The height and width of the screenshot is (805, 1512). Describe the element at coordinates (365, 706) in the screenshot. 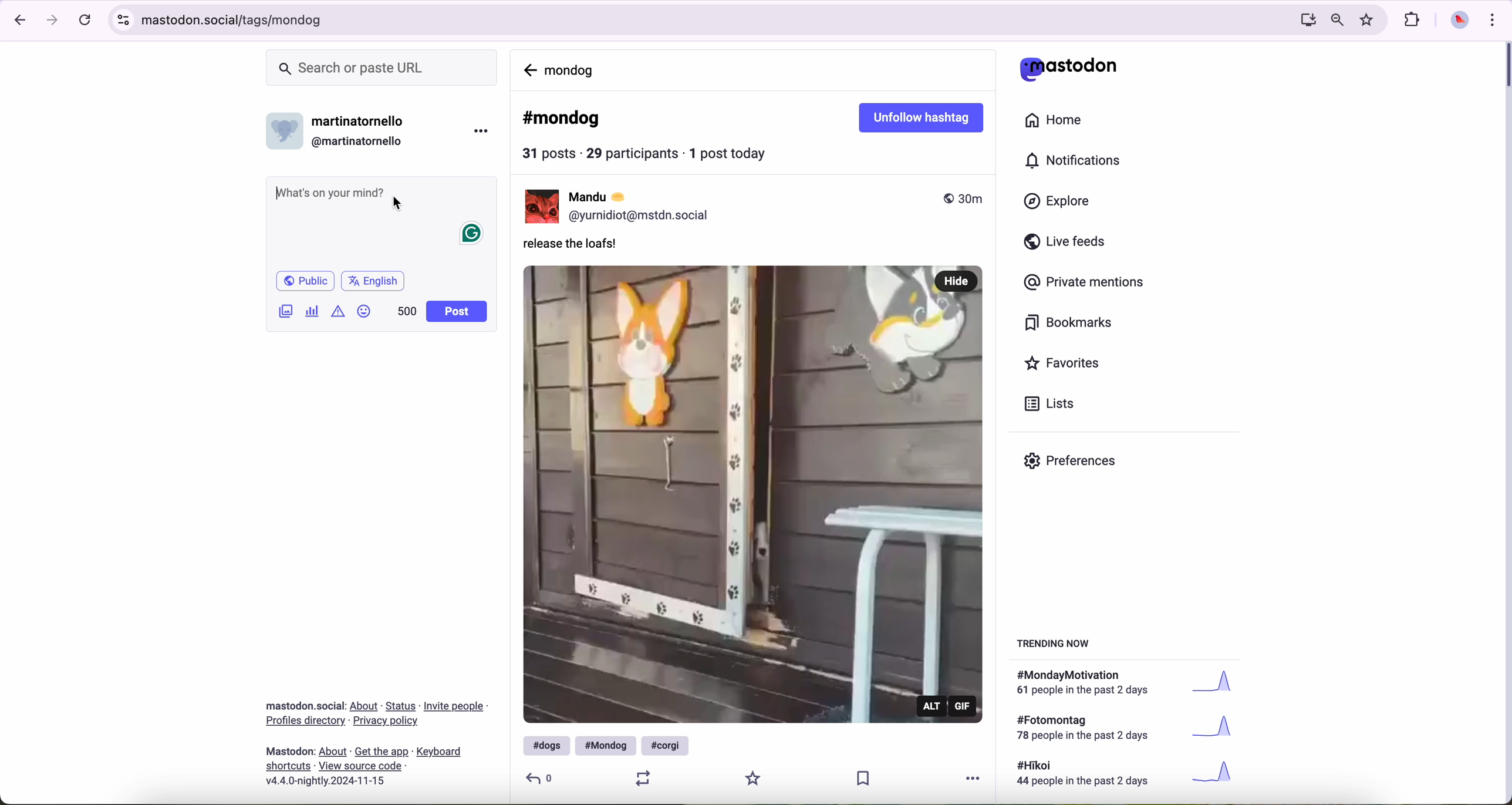

I see `link` at that location.